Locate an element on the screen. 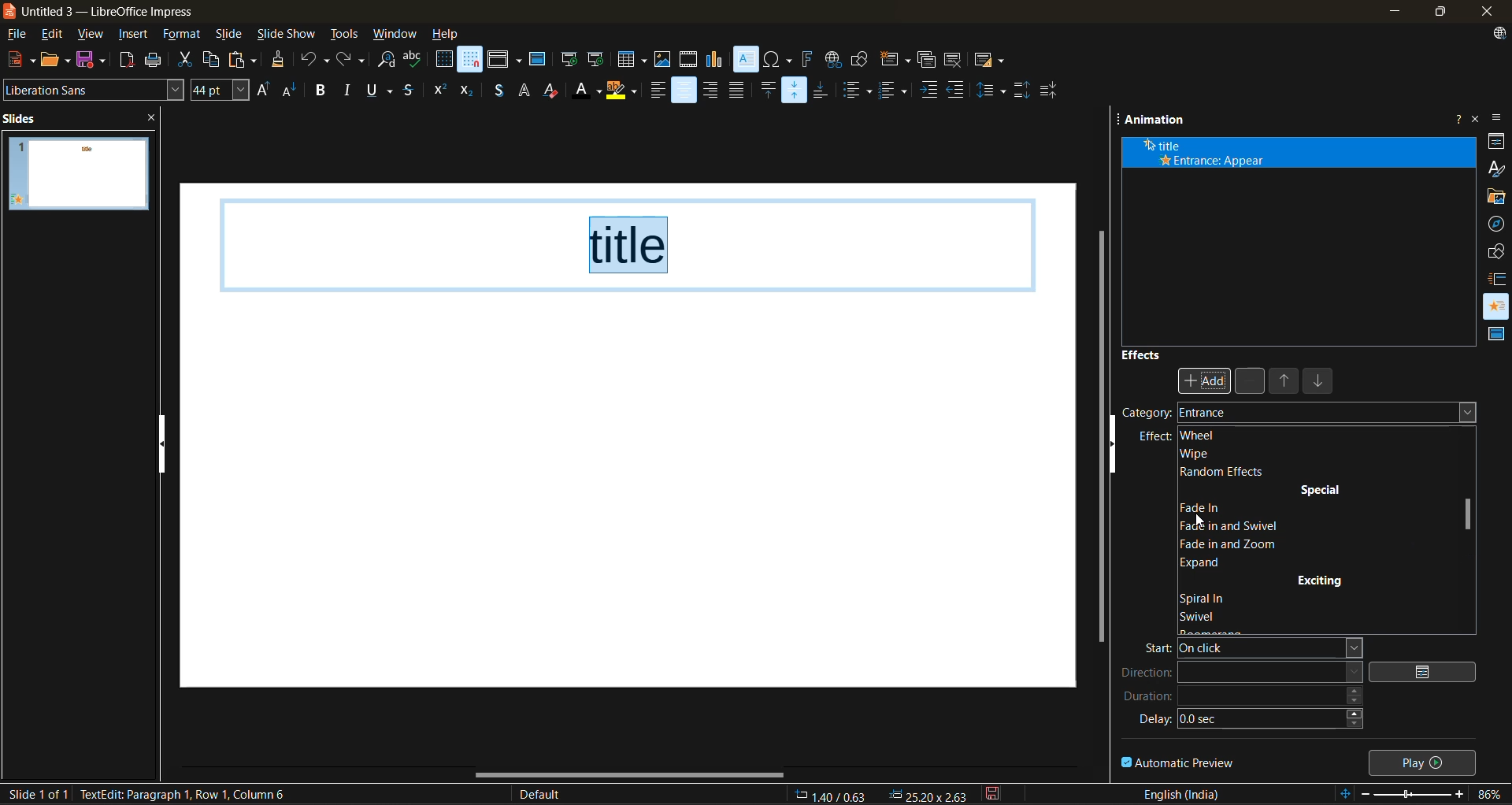 Image resolution: width=1512 pixels, height=805 pixels. slide details is located at coordinates (37, 794).